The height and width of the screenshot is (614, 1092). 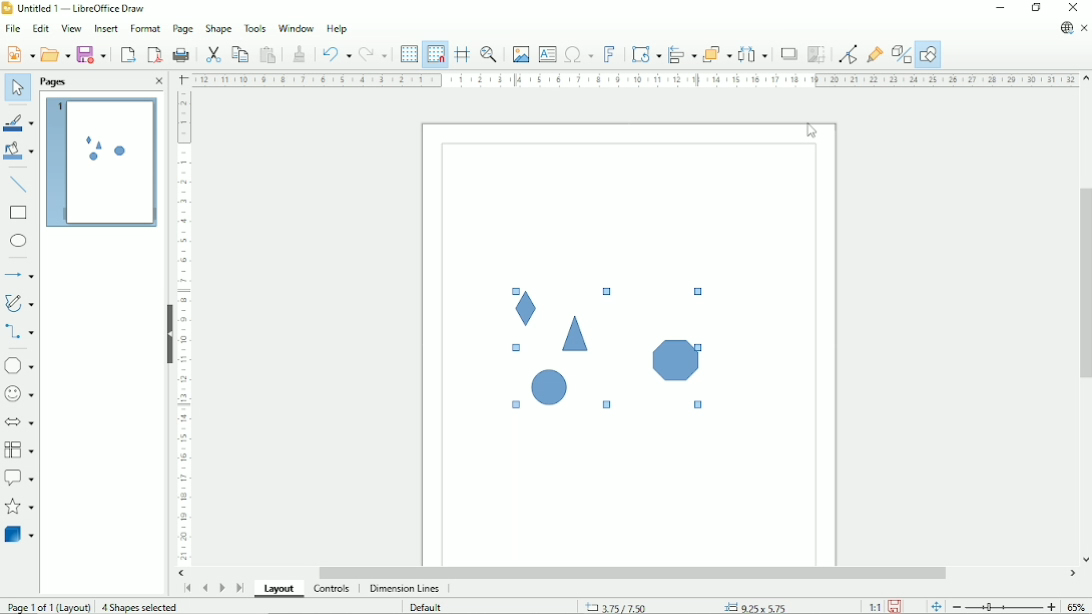 I want to click on 4 shapes selected, so click(x=143, y=607).